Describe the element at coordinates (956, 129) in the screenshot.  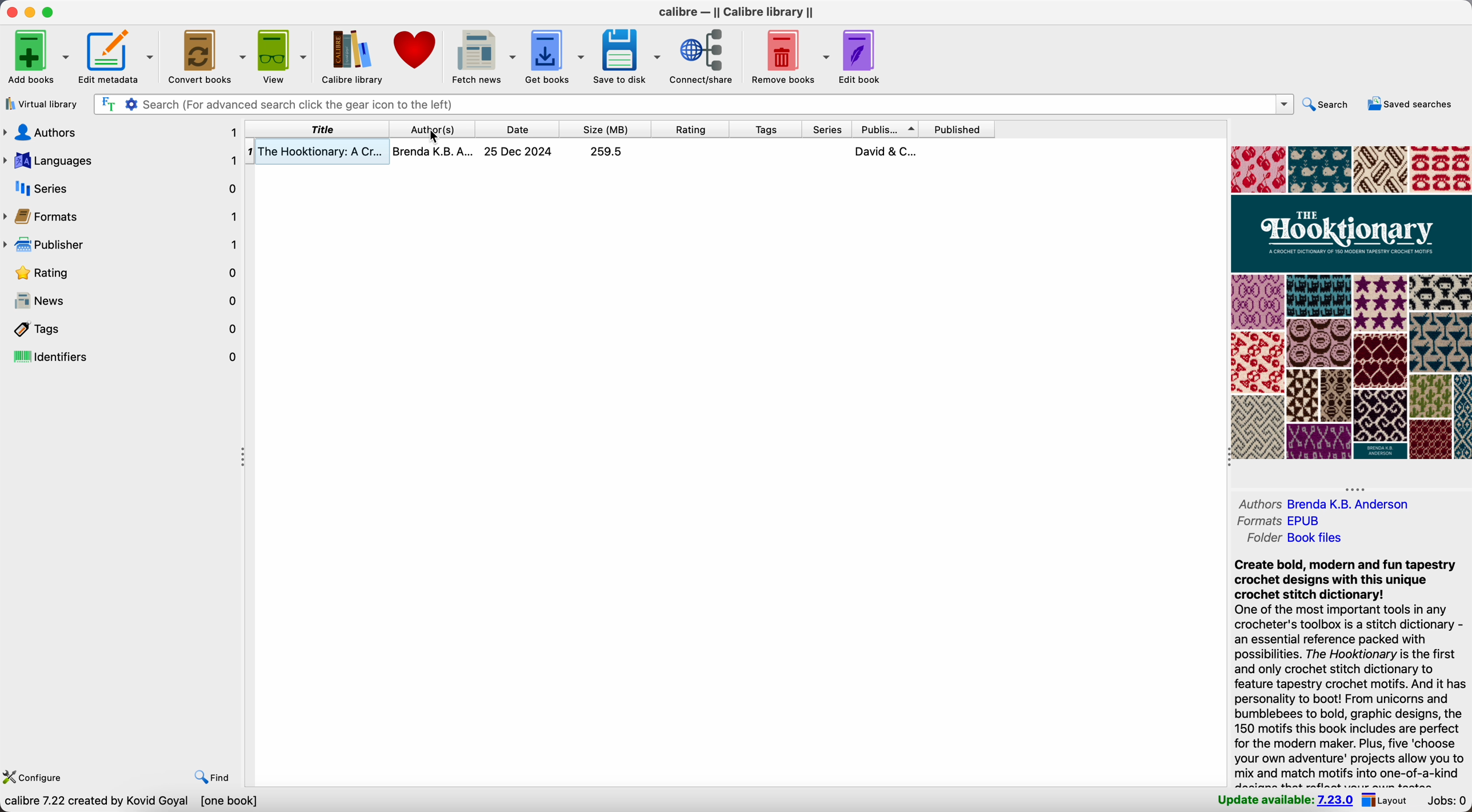
I see `published` at that location.